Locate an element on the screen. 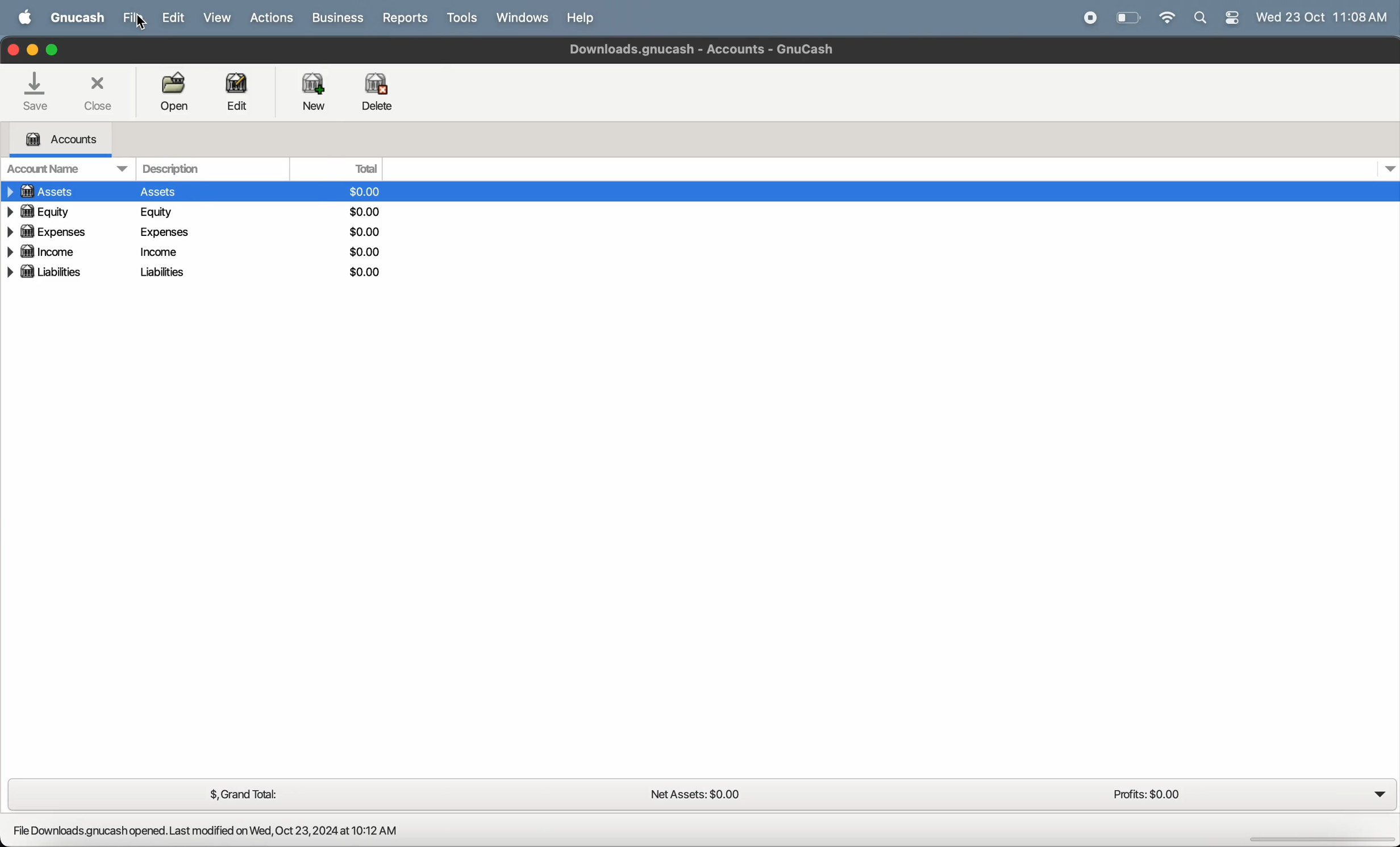 Image resolution: width=1400 pixels, height=847 pixels. GNUcash is located at coordinates (72, 19).